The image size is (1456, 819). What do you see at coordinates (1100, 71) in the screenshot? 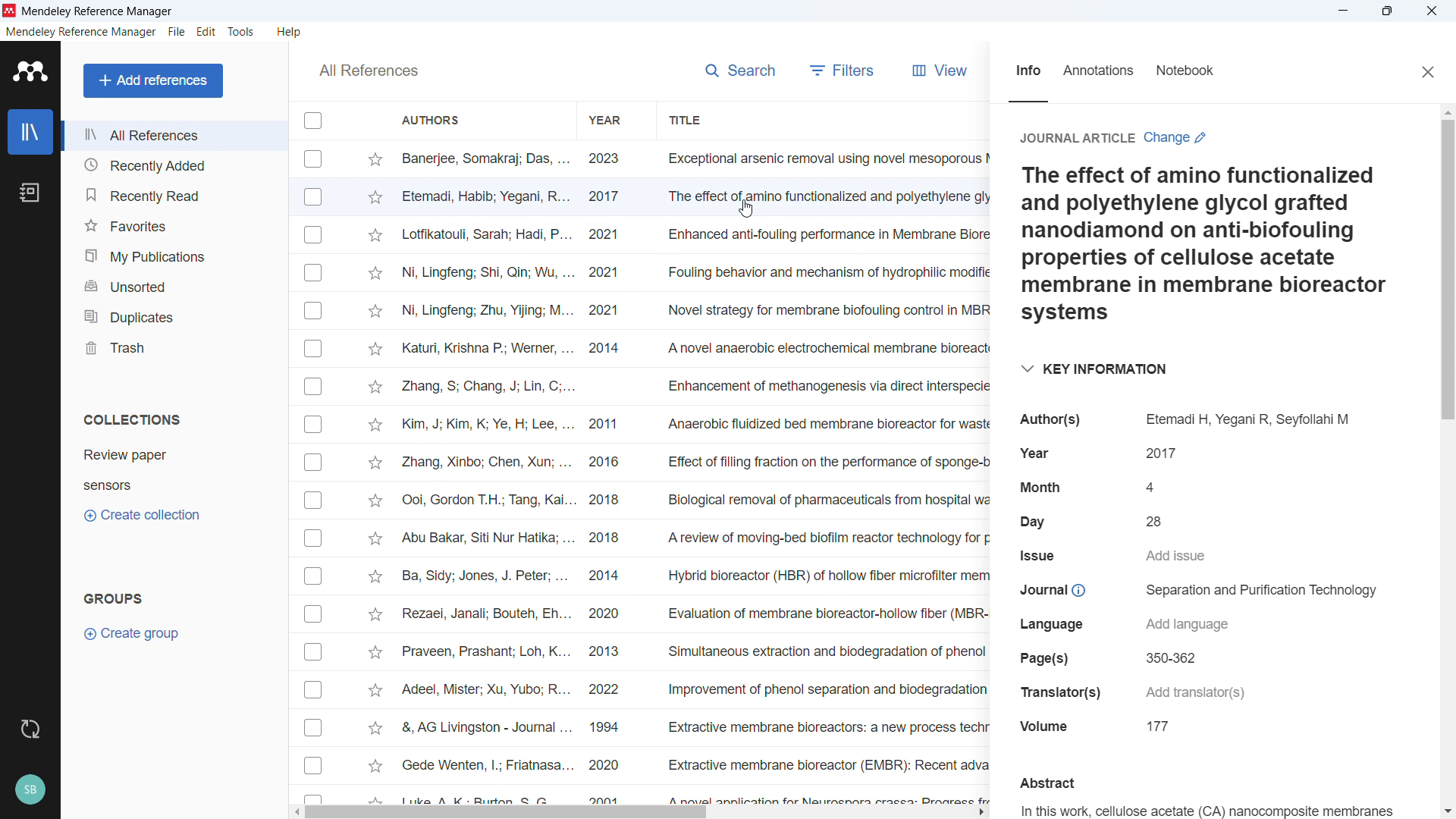
I see `Annotations ` at bounding box center [1100, 71].